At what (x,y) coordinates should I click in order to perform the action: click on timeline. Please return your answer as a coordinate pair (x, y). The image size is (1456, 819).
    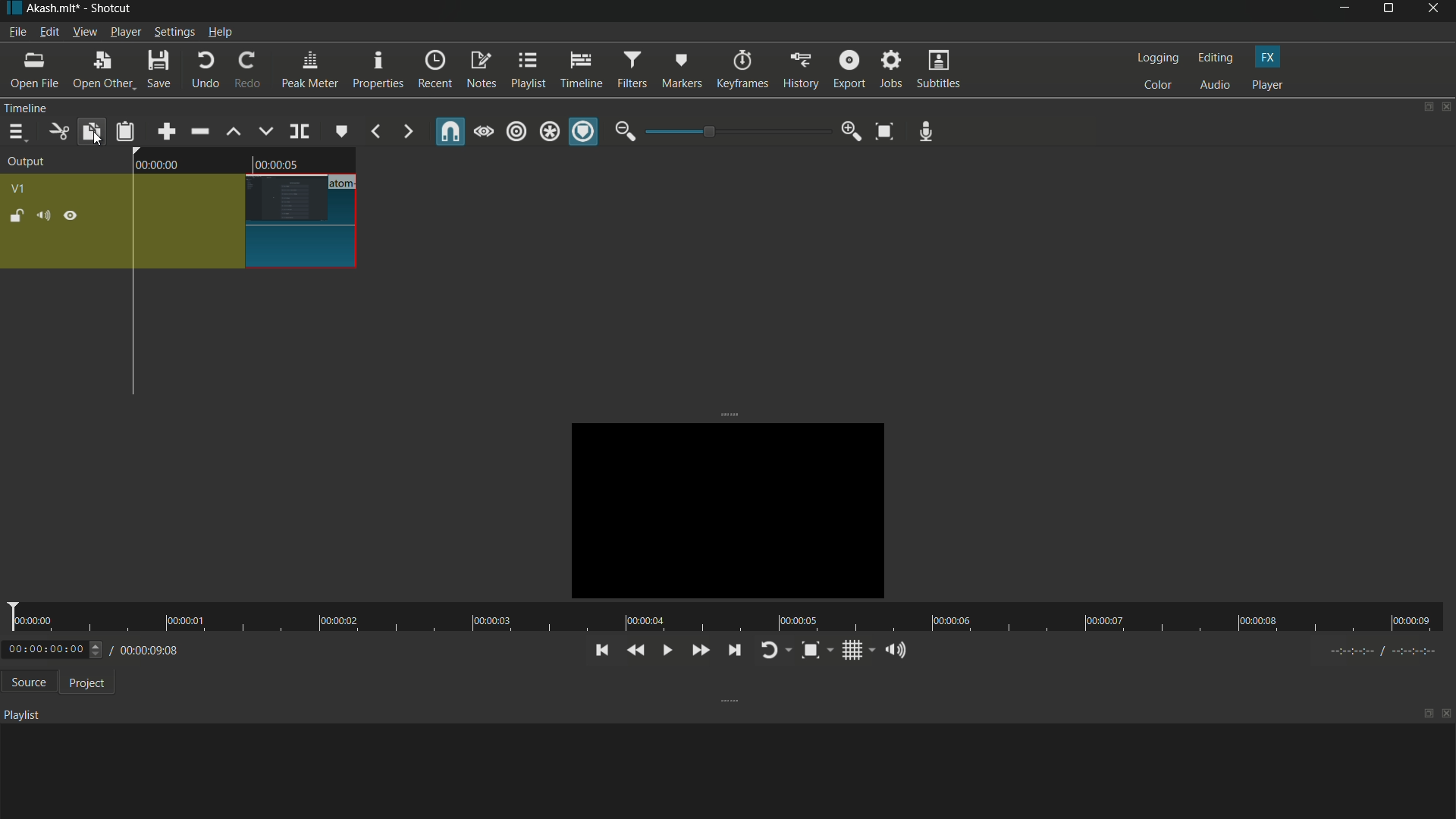
    Looking at the image, I should click on (581, 68).